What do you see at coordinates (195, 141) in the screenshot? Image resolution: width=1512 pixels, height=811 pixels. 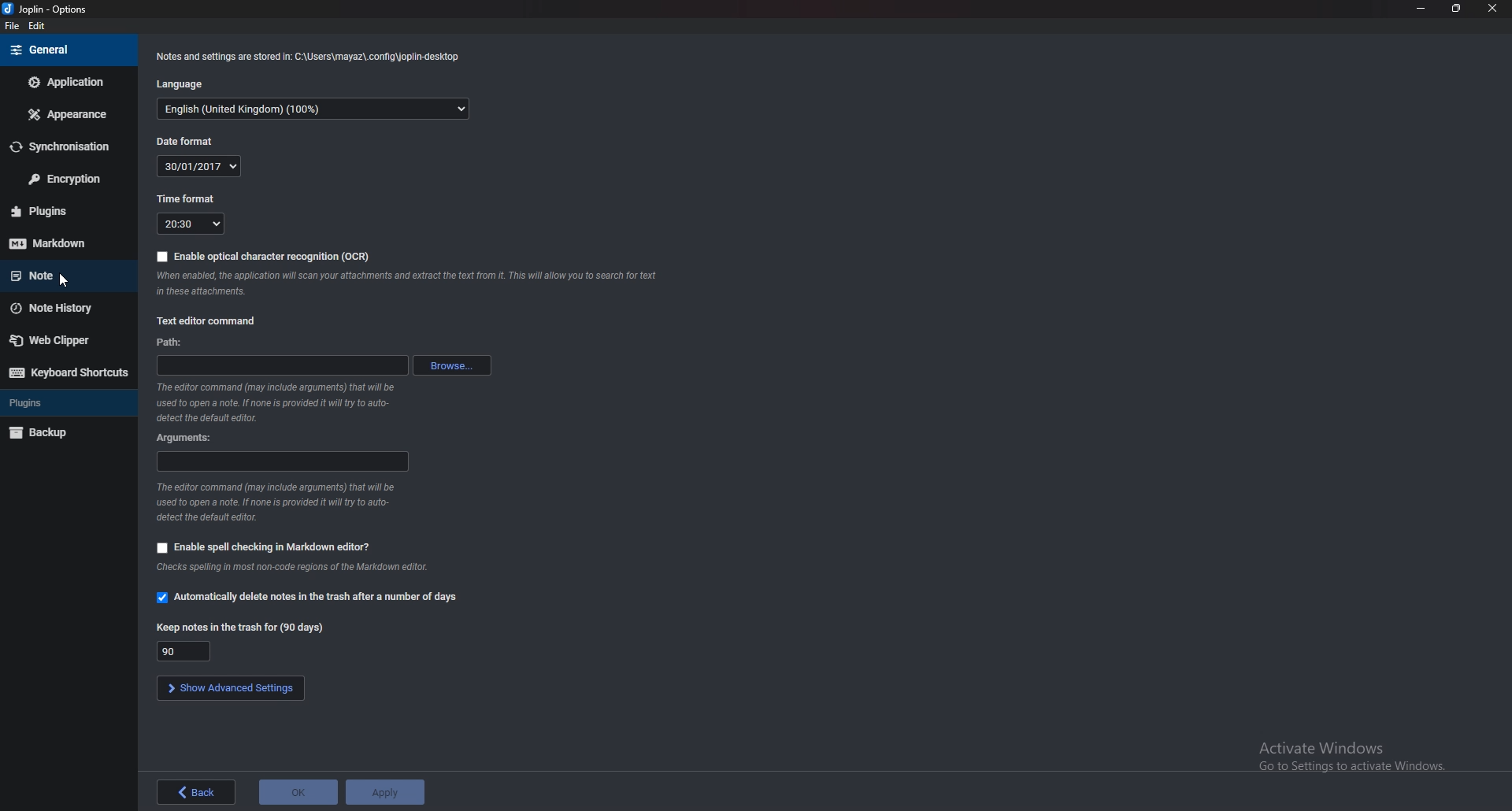 I see `Date format` at bounding box center [195, 141].